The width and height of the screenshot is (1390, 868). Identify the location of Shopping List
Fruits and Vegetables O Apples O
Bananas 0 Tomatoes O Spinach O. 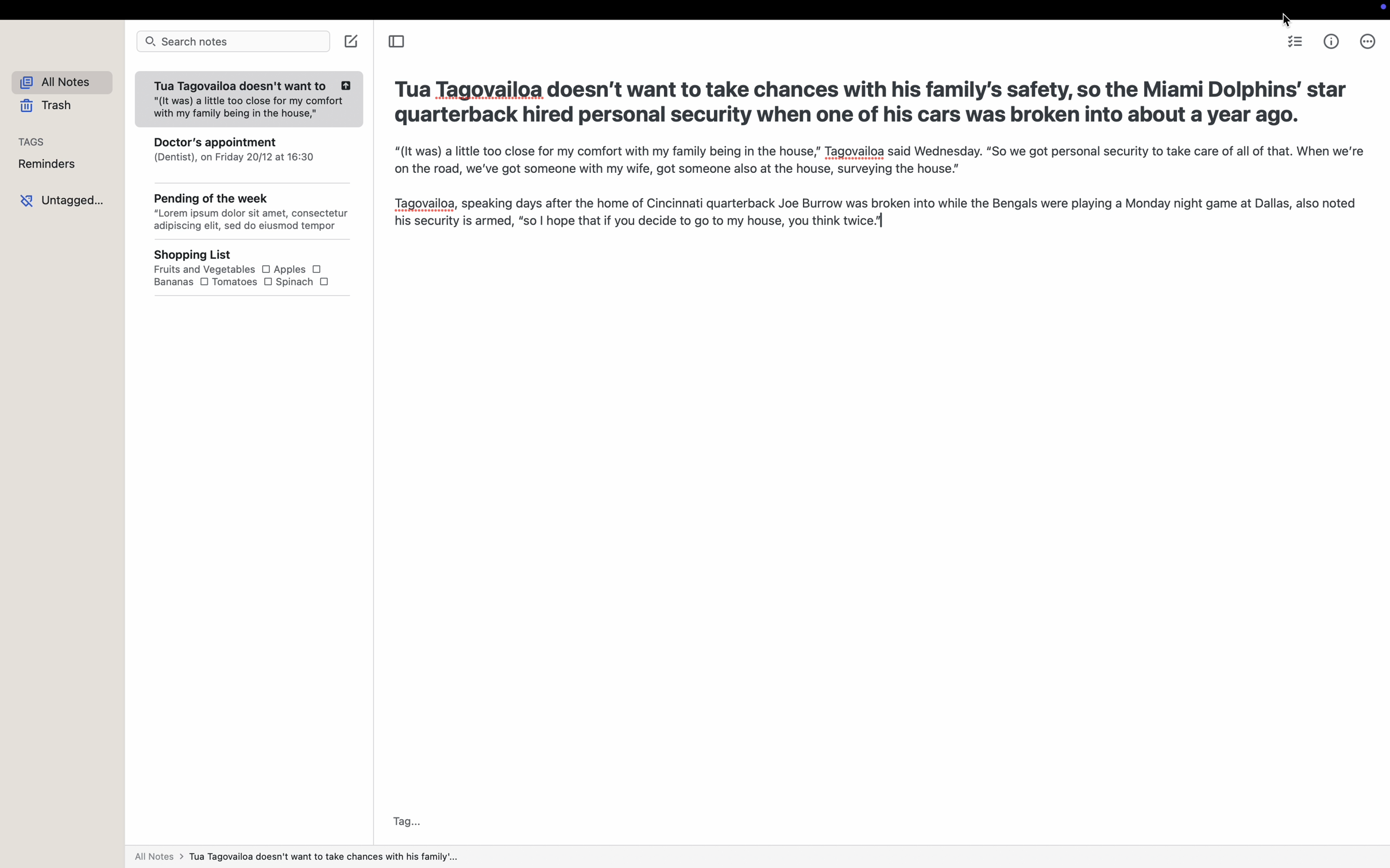
(259, 269).